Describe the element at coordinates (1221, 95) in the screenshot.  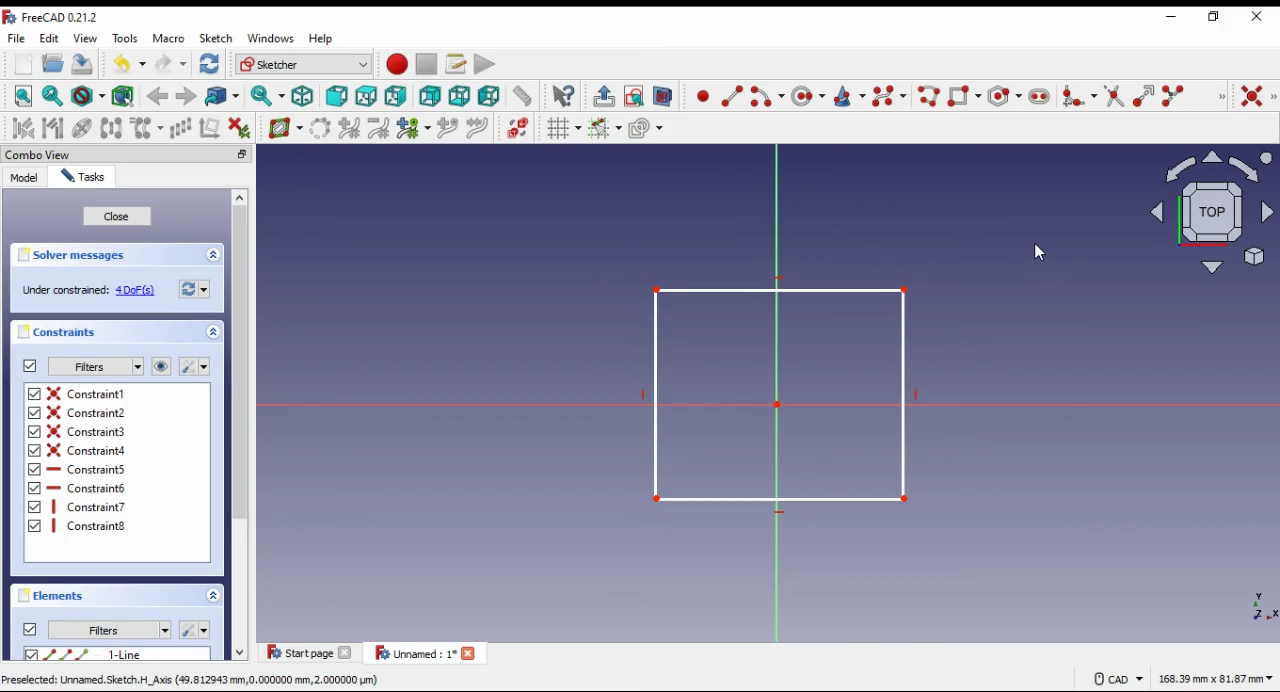
I see `sketcher geometries` at that location.